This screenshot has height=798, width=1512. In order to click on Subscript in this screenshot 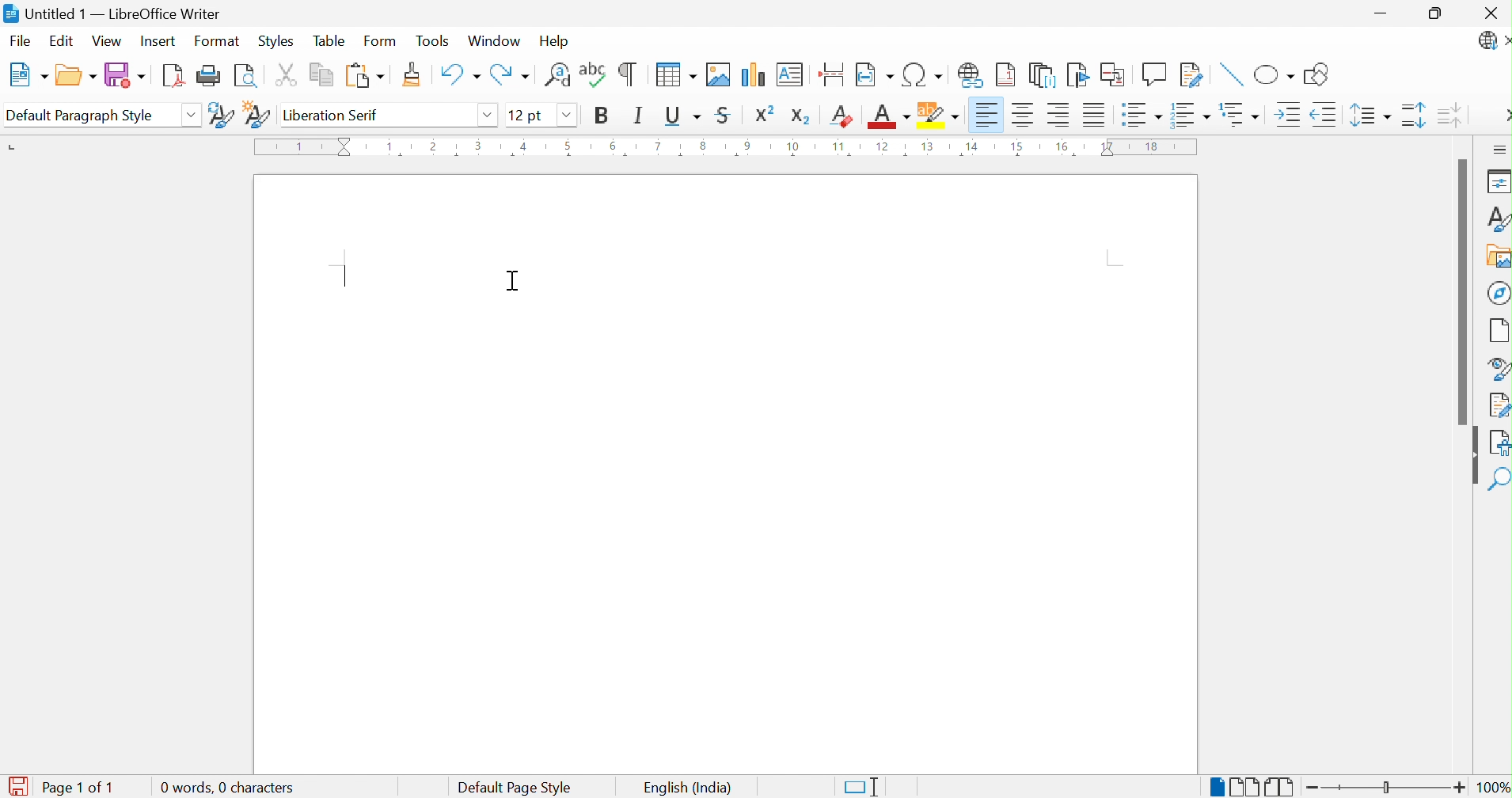, I will do `click(801, 116)`.